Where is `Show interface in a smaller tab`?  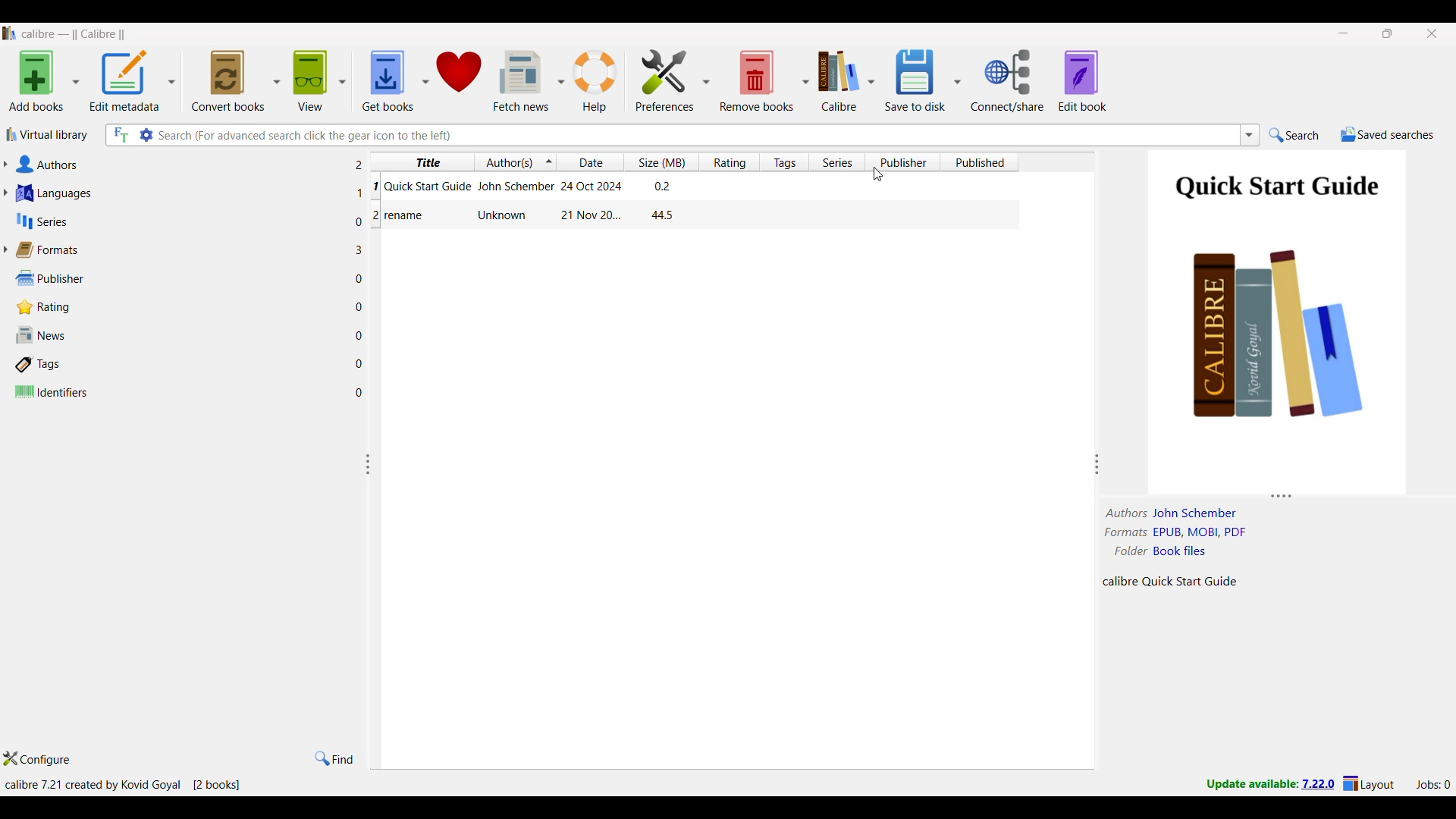
Show interface in a smaller tab is located at coordinates (1389, 33).